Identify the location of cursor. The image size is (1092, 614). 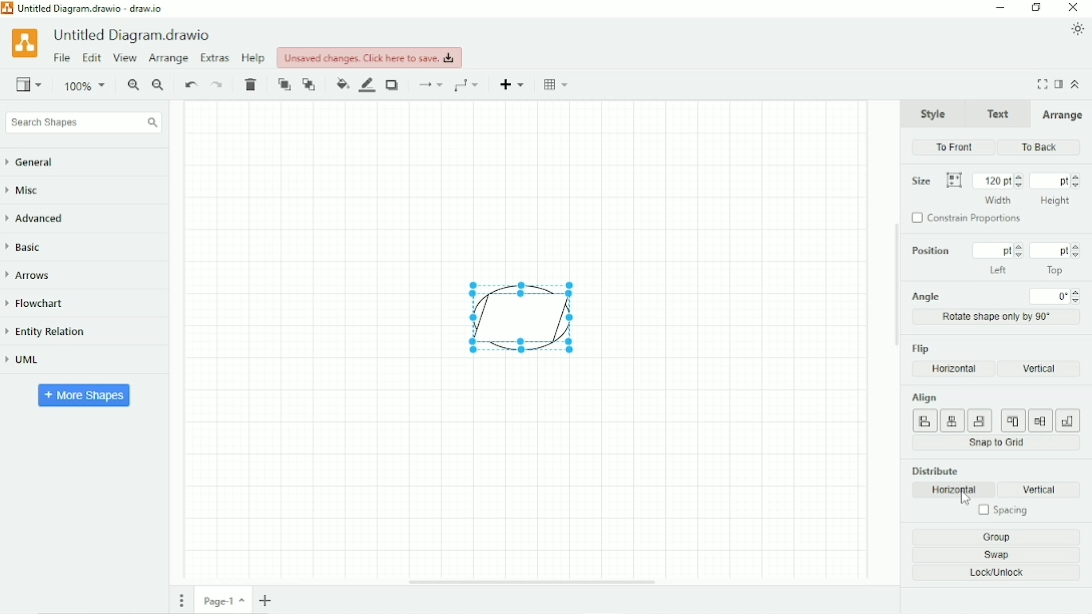
(964, 500).